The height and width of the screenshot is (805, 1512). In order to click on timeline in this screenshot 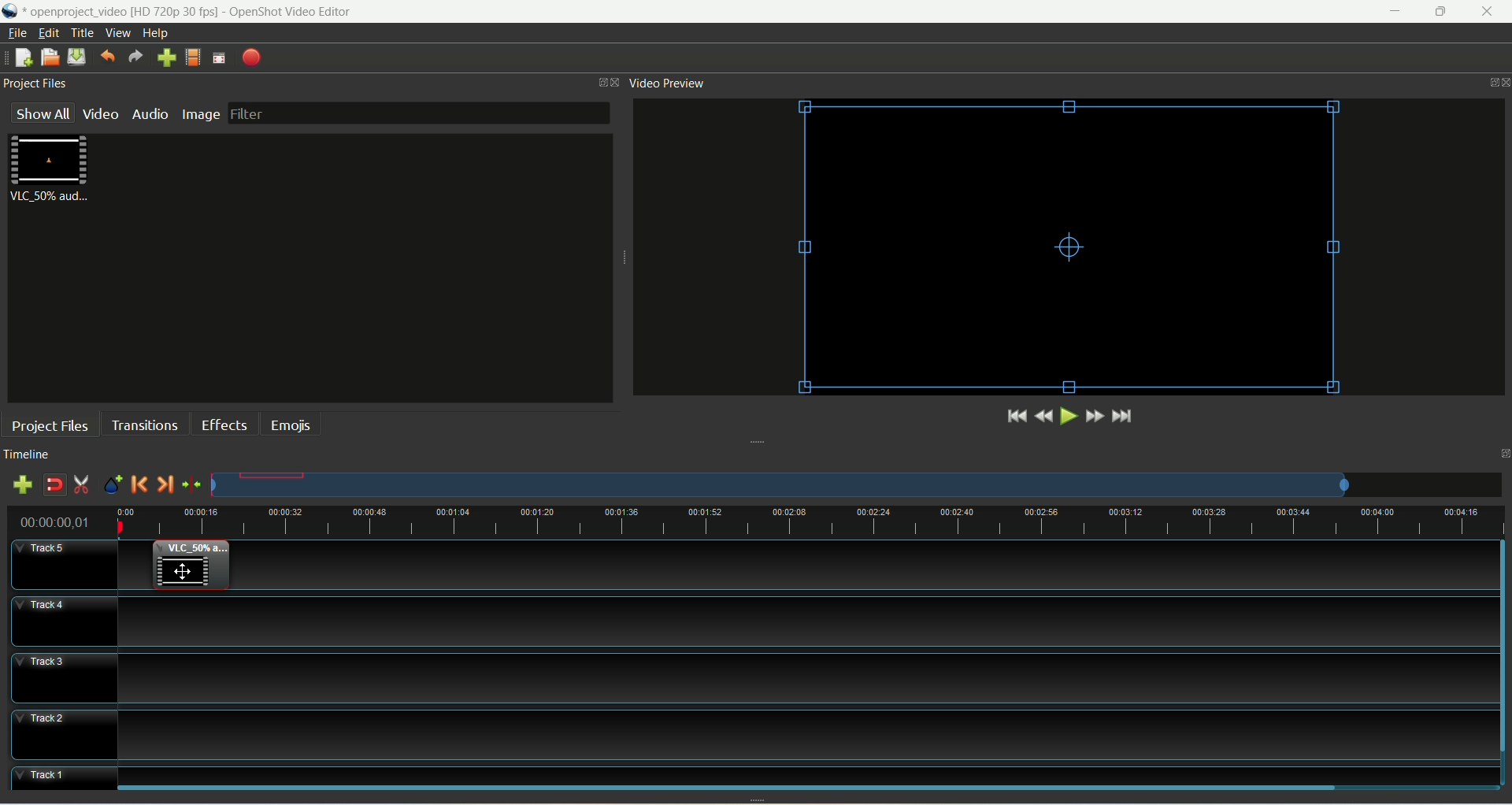, I will do `click(31, 454)`.